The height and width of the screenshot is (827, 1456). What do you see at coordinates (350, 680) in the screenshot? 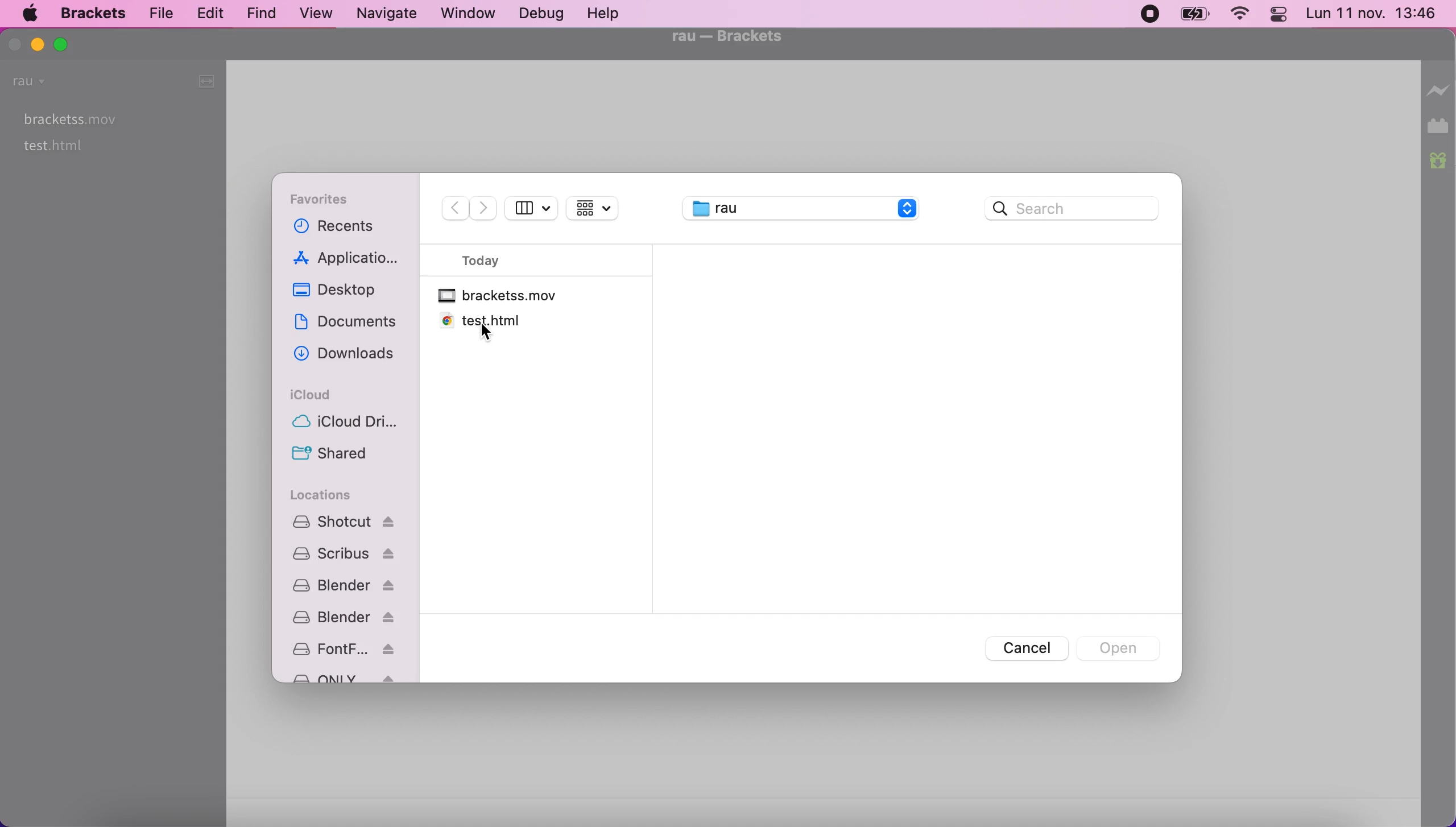
I see `only` at bounding box center [350, 680].